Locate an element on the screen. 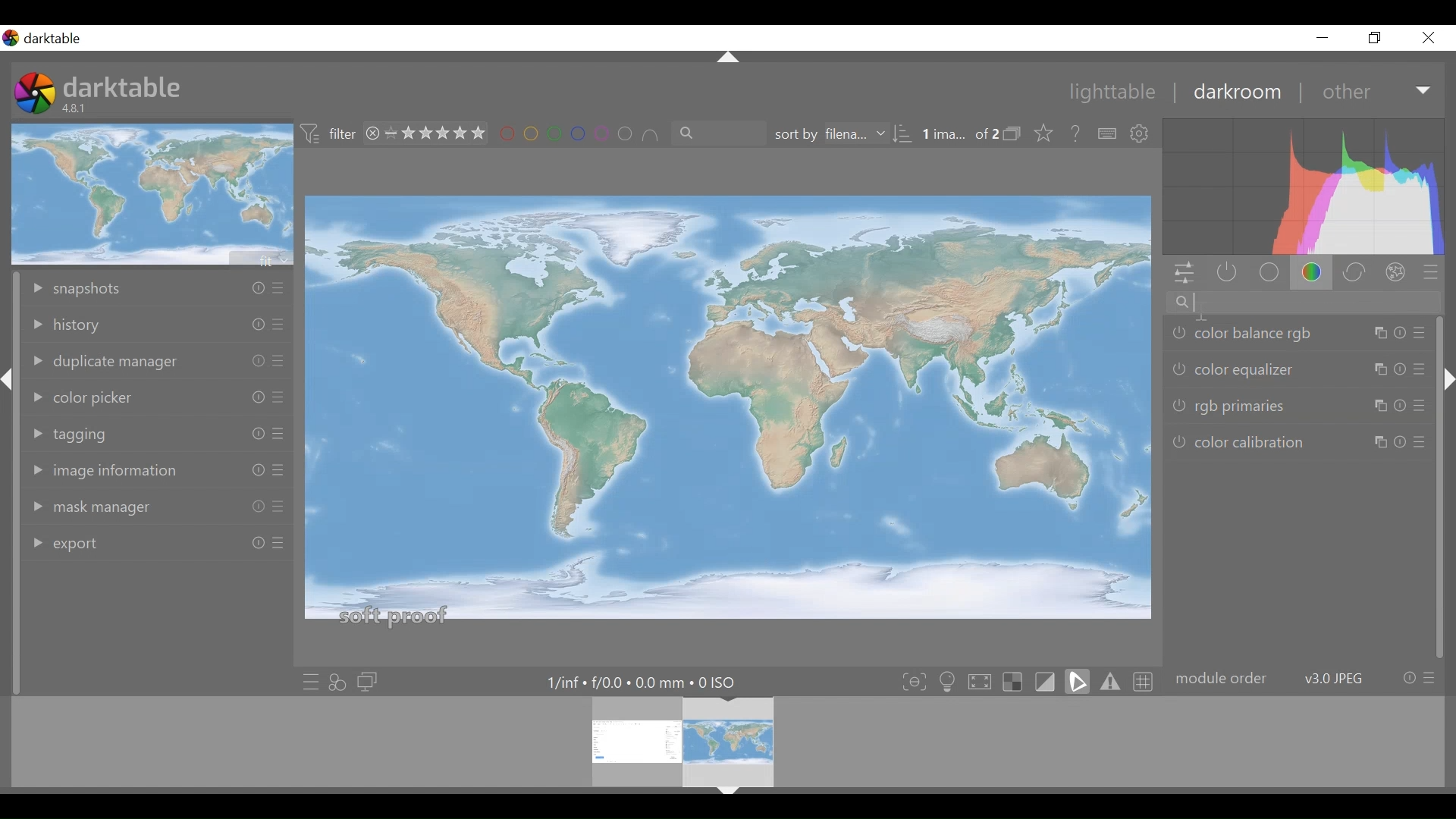 This screenshot has width=1456, height=819. Maximum Exposure is located at coordinates (648, 682).